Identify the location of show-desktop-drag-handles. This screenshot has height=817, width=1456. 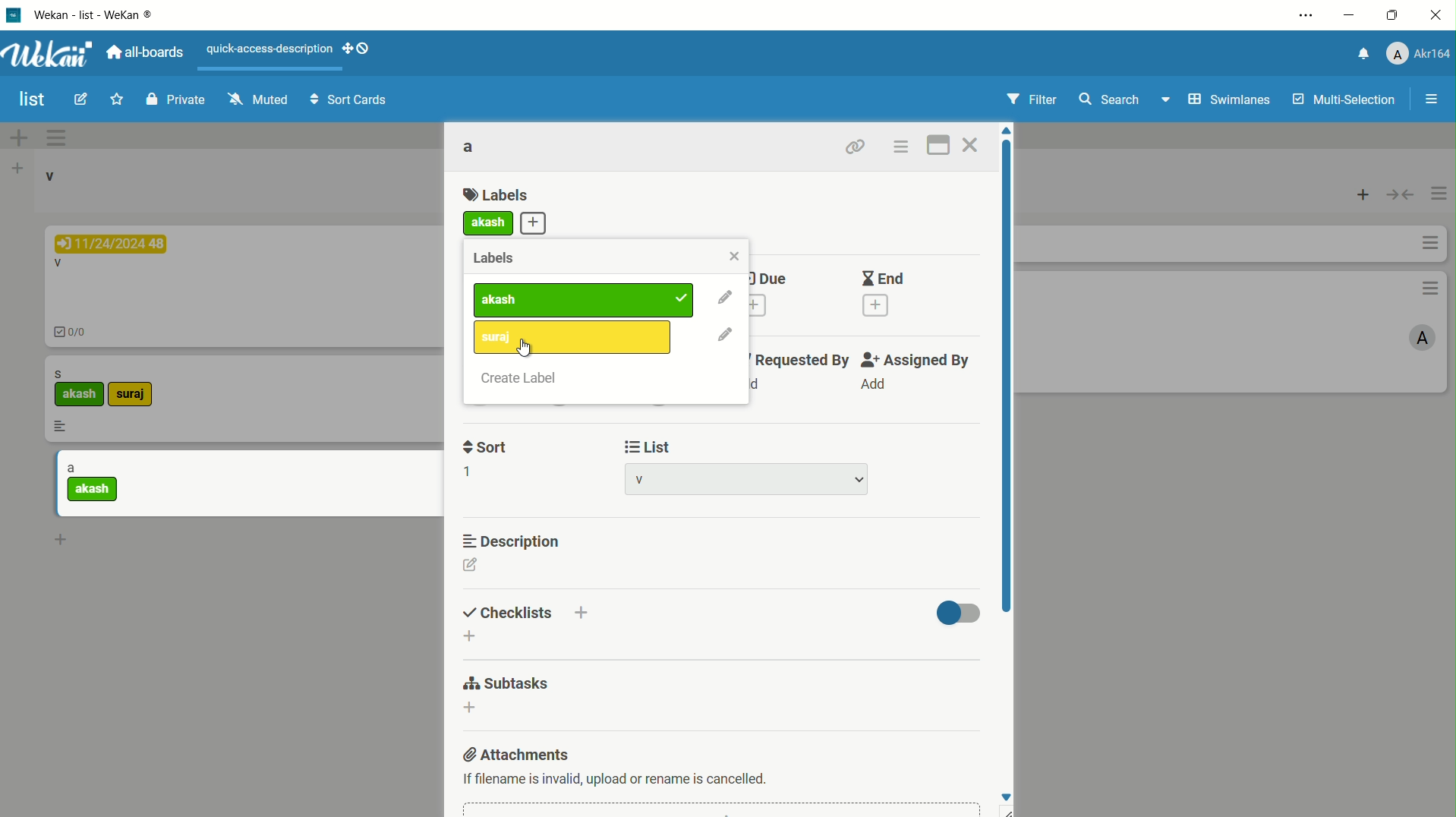
(360, 49).